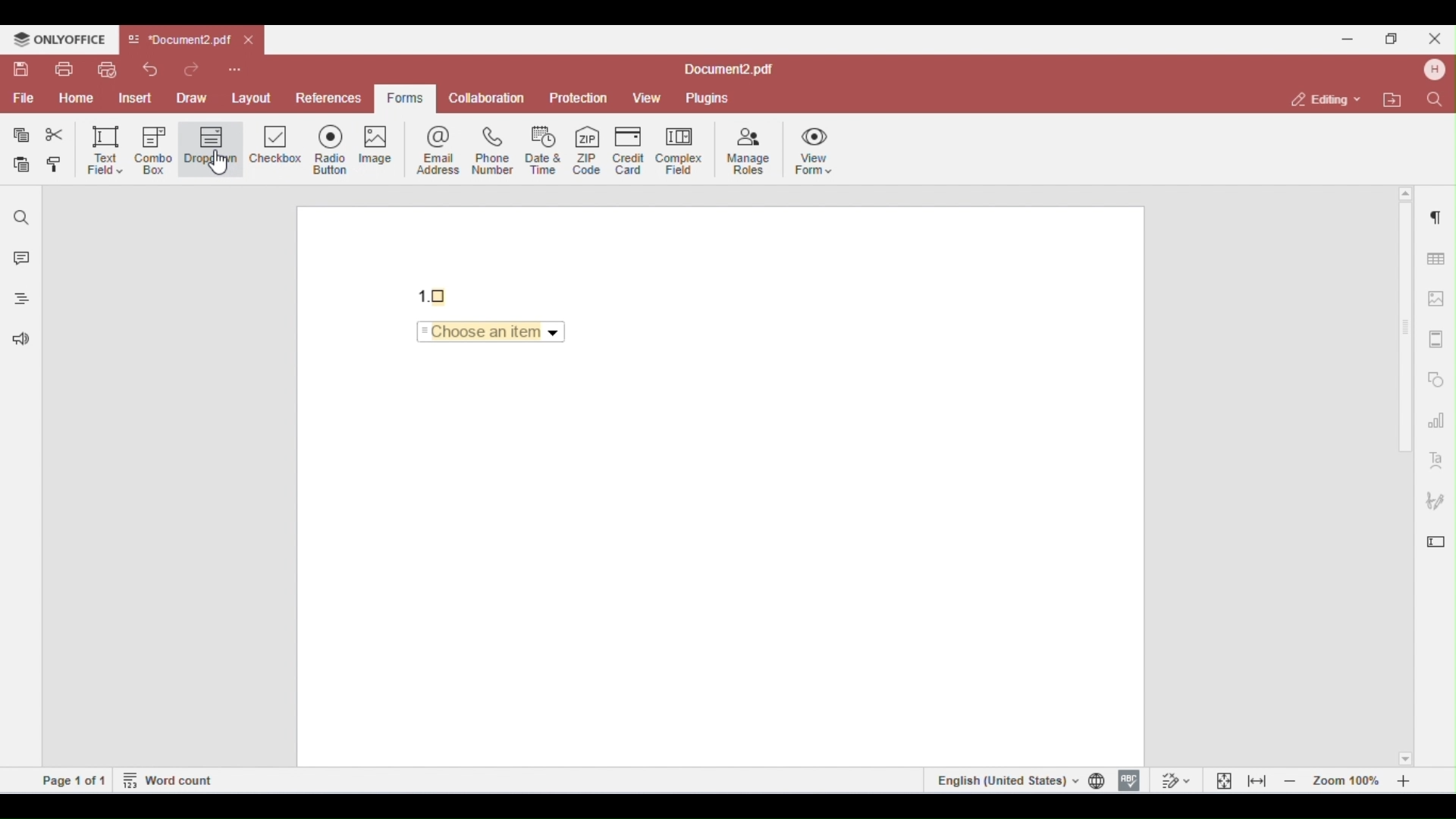  Describe the element at coordinates (487, 97) in the screenshot. I see `collaboration` at that location.